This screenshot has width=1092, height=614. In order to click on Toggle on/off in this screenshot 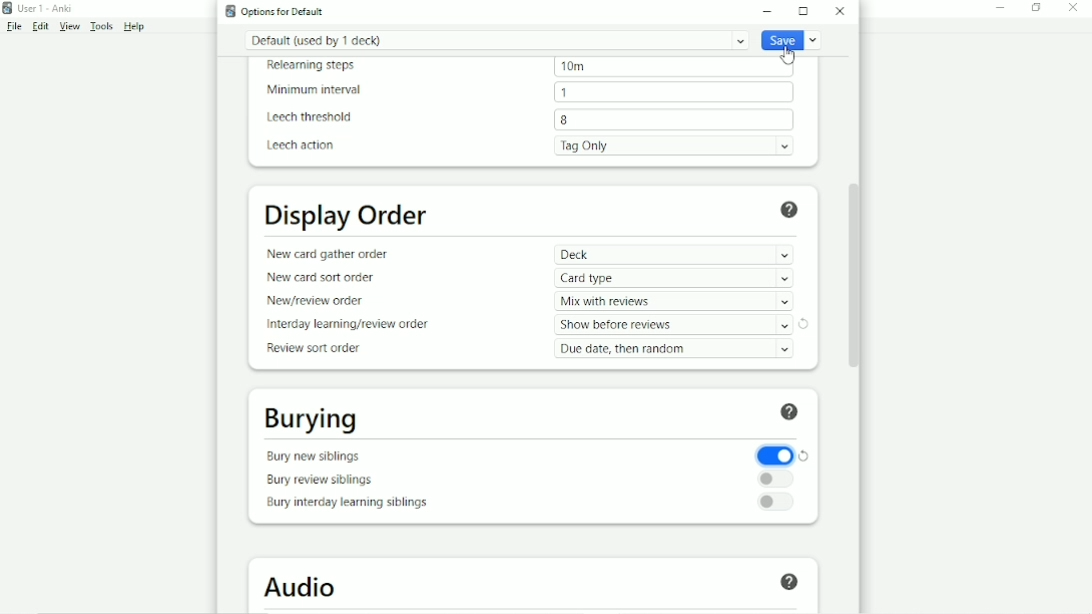, I will do `click(775, 479)`.